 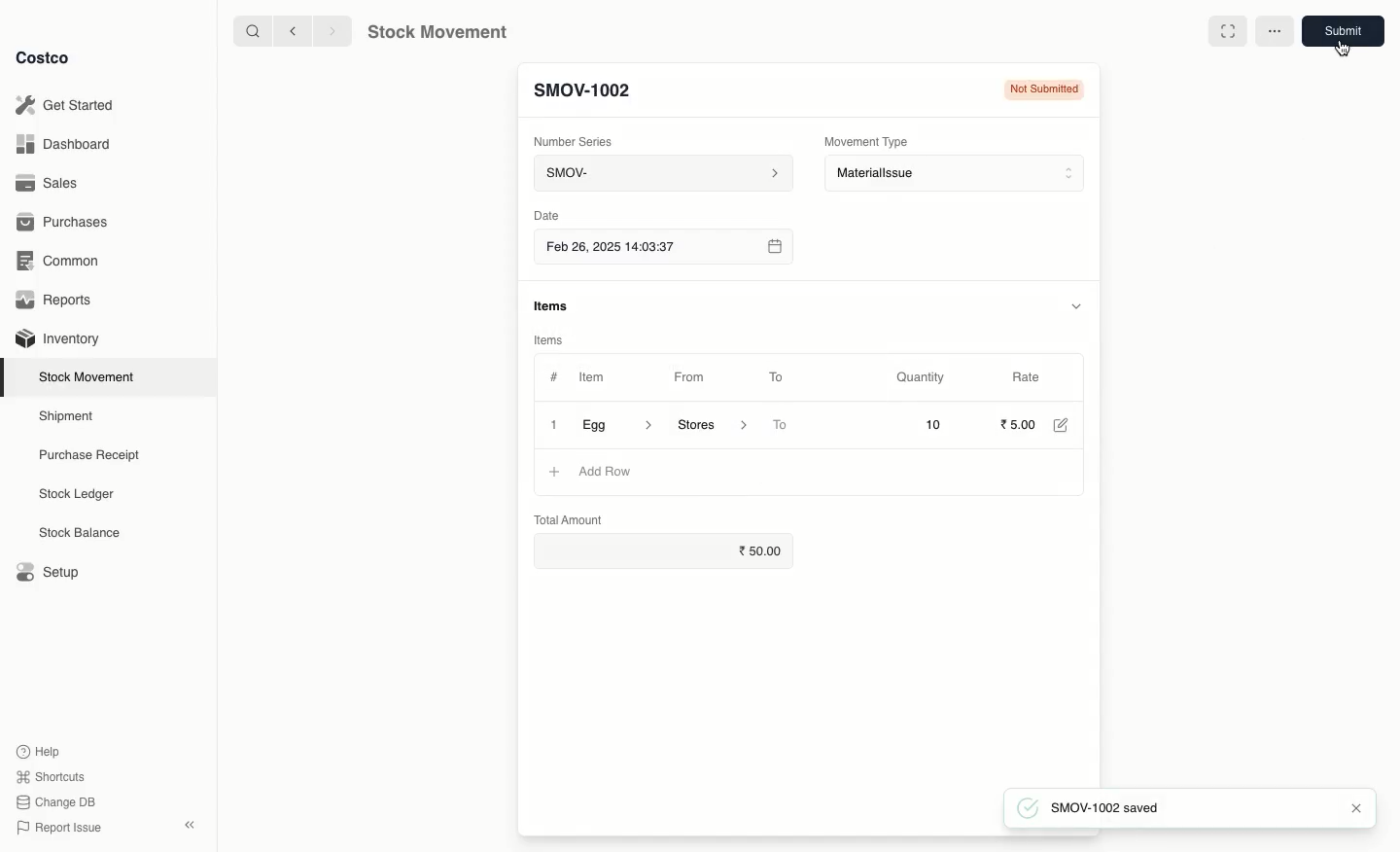 What do you see at coordinates (255, 32) in the screenshot?
I see `search` at bounding box center [255, 32].